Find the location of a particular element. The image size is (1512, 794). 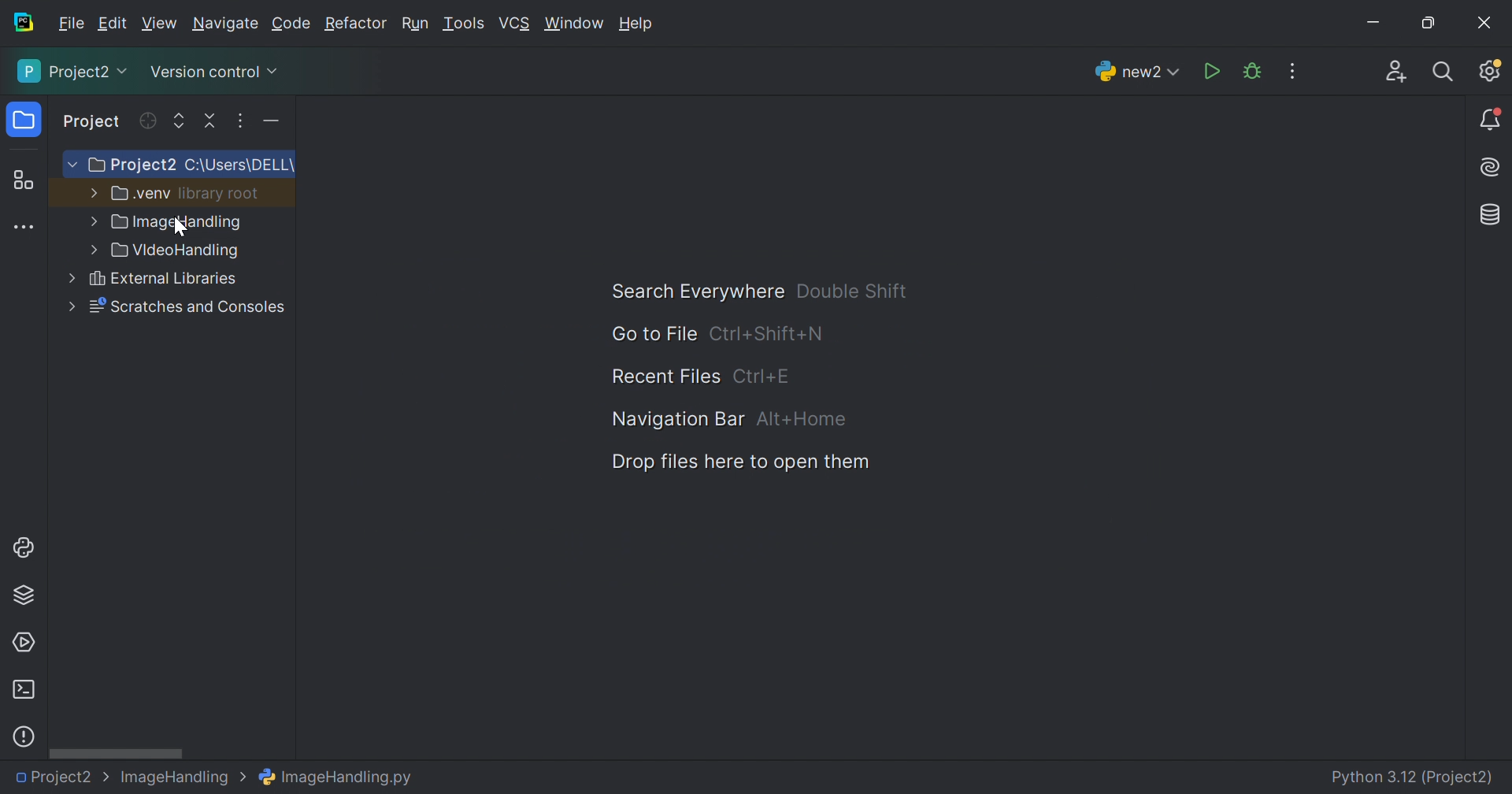

Database is located at coordinates (1492, 216).